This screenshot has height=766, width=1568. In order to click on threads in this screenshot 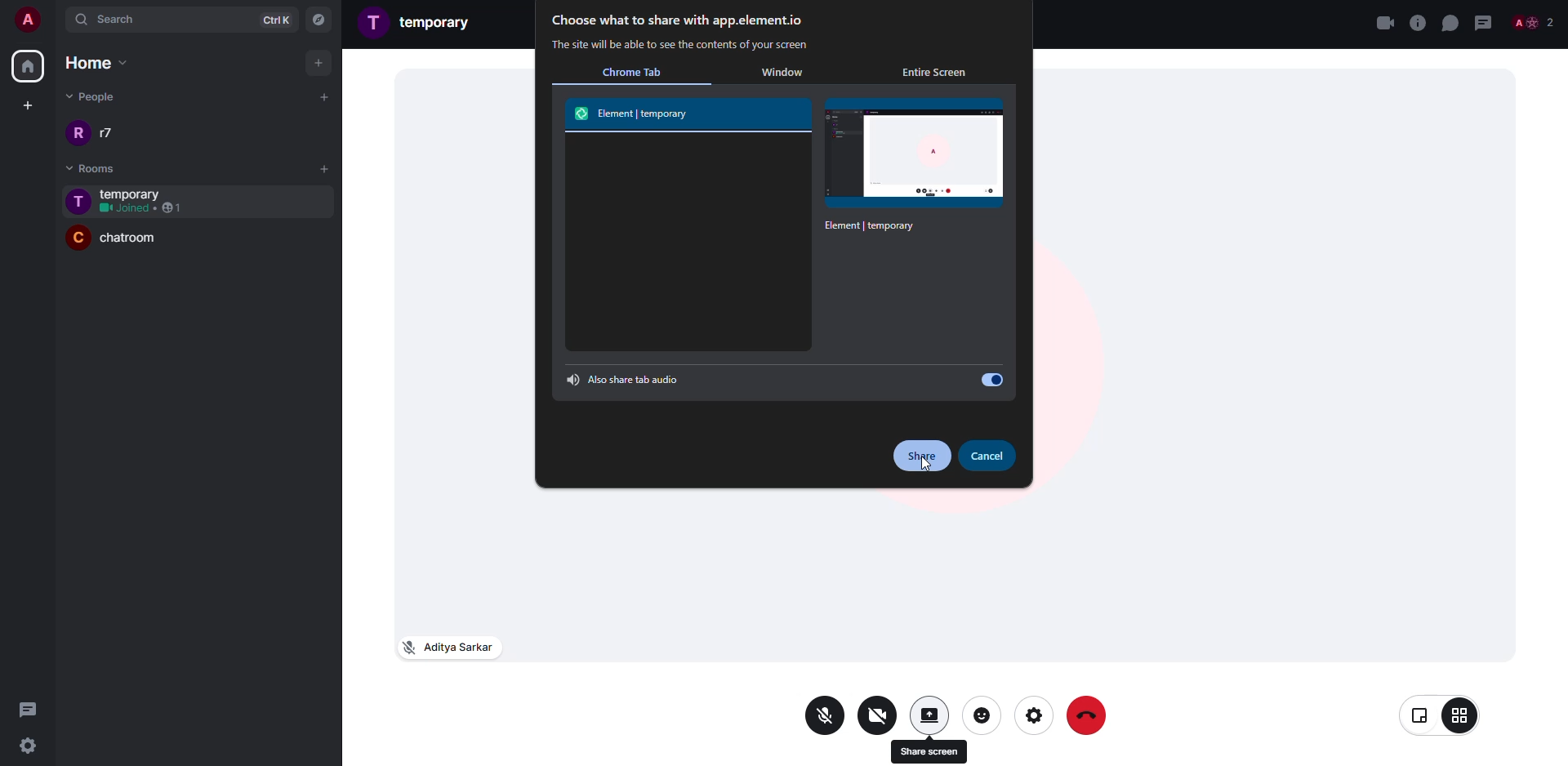, I will do `click(29, 708)`.